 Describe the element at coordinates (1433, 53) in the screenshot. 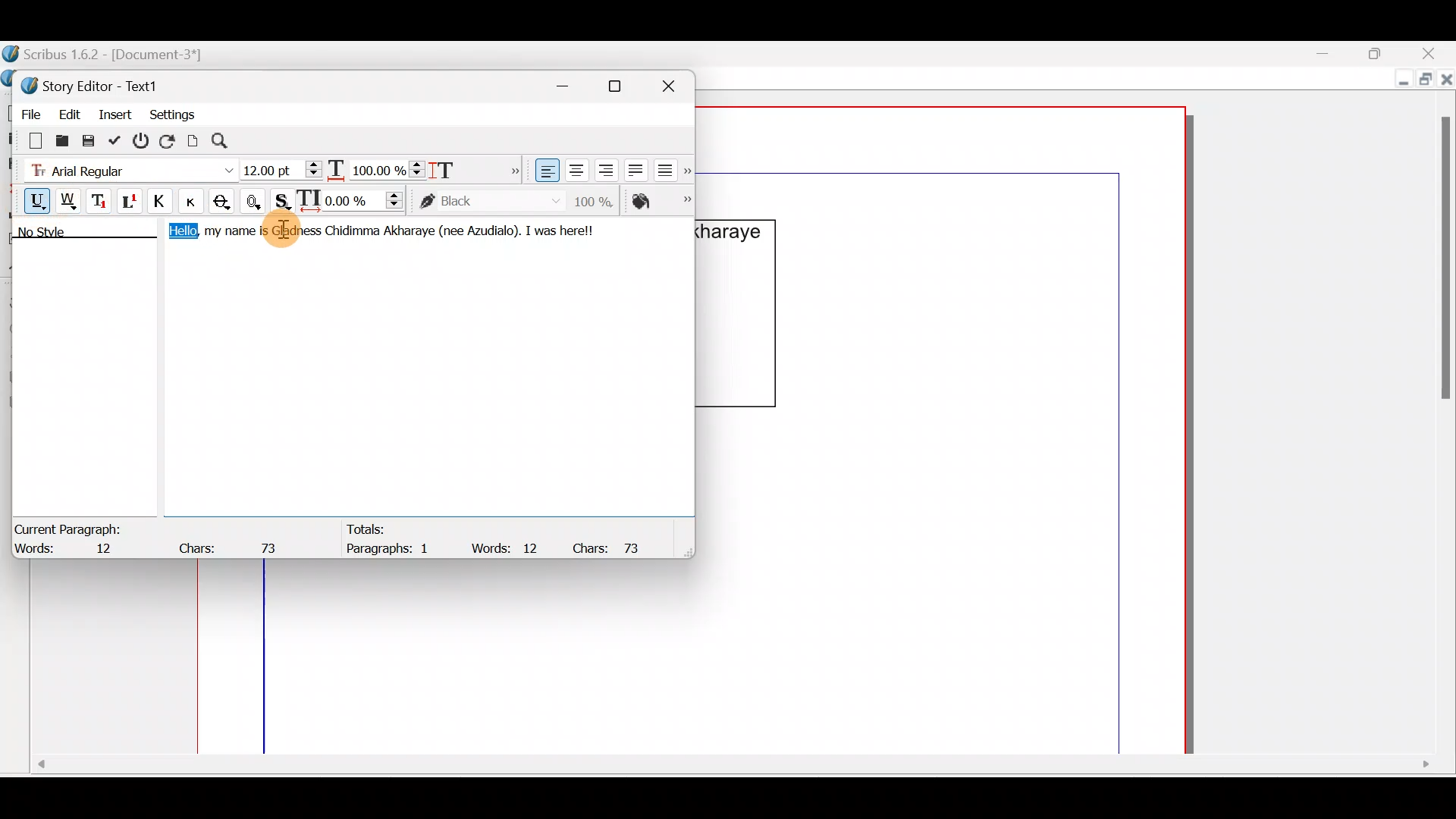

I see `Close` at that location.